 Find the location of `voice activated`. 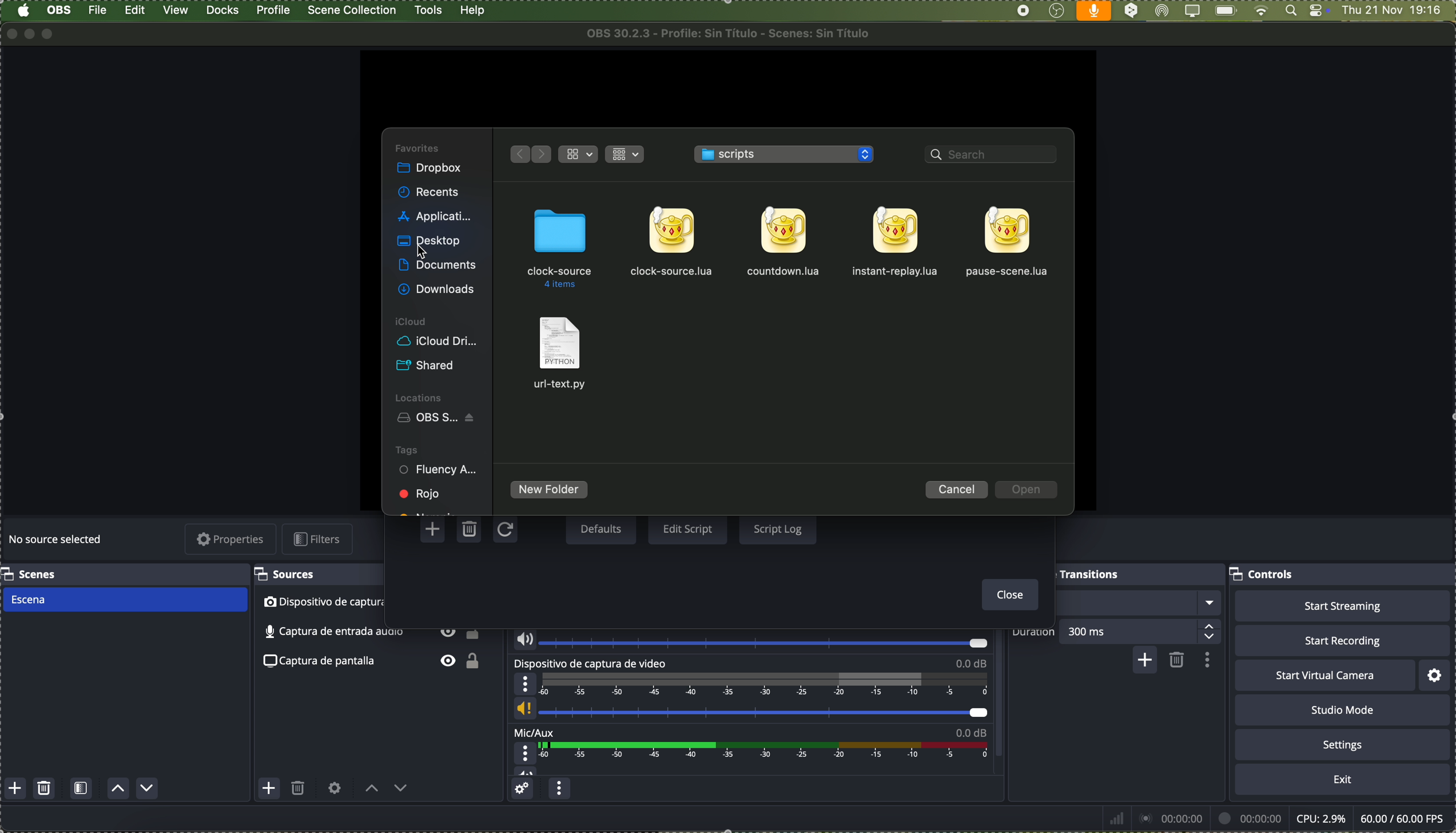

voice activated is located at coordinates (1094, 11).